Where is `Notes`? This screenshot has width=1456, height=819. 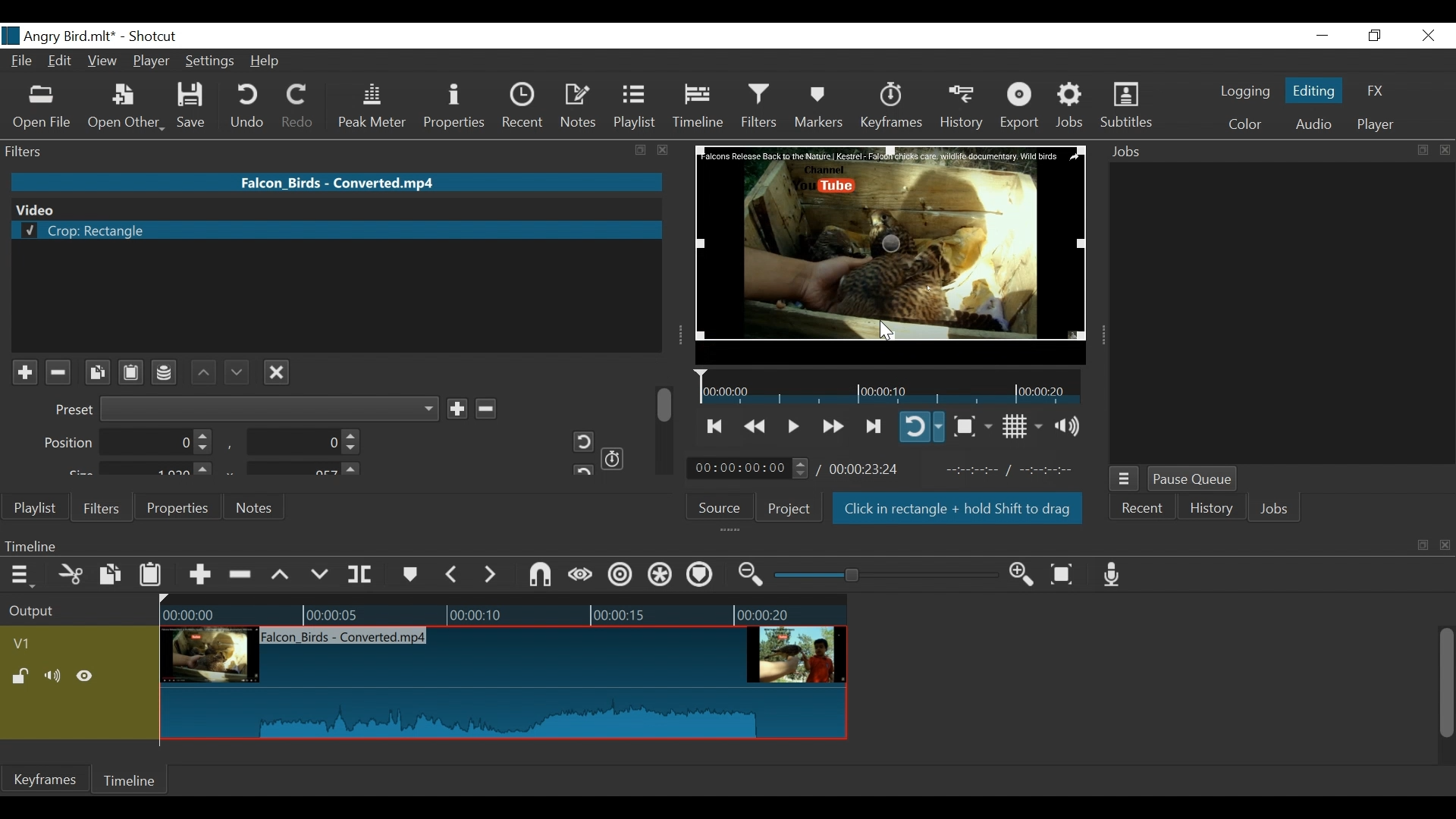 Notes is located at coordinates (579, 106).